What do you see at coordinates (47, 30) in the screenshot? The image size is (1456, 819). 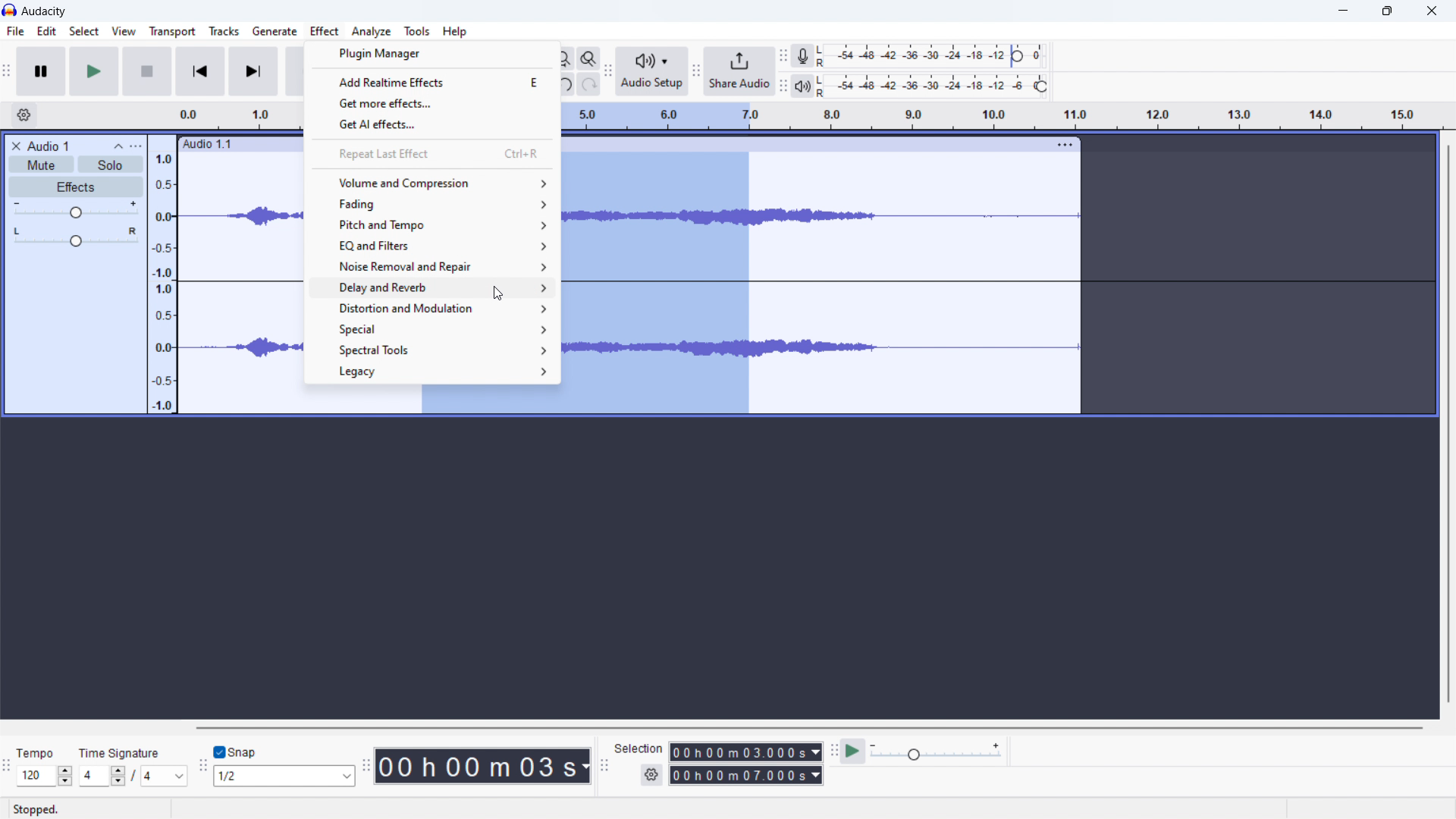 I see `edit` at bounding box center [47, 30].